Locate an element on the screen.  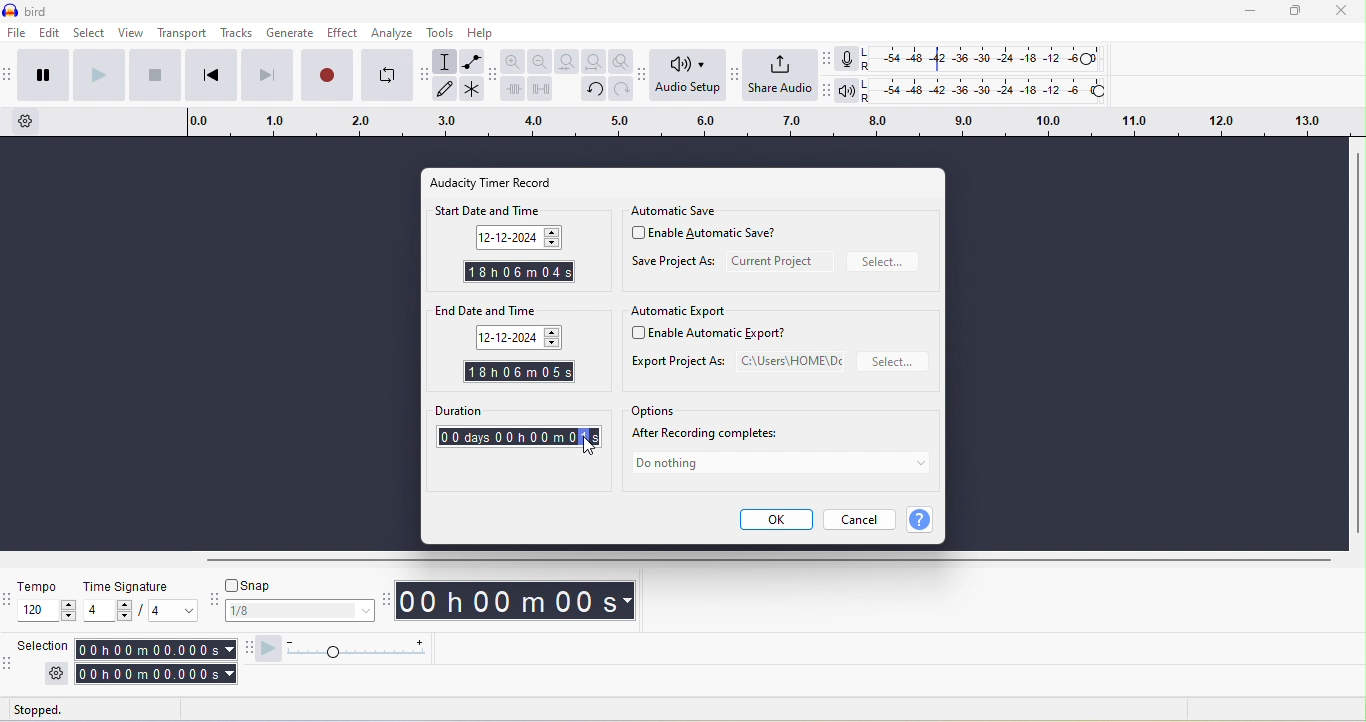
horizontal scroll bar is located at coordinates (765, 562).